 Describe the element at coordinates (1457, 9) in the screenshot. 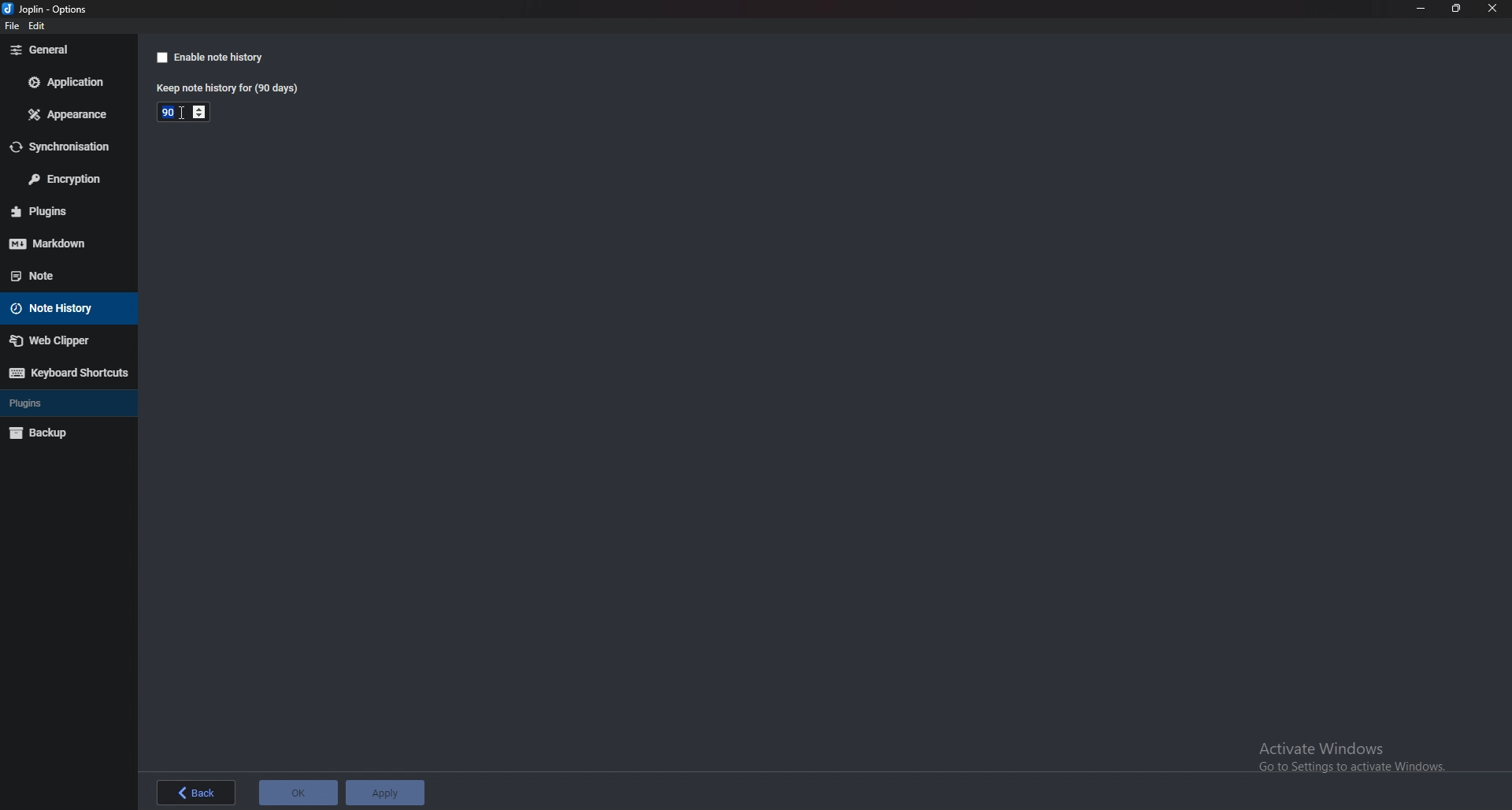

I see `Resize` at that location.